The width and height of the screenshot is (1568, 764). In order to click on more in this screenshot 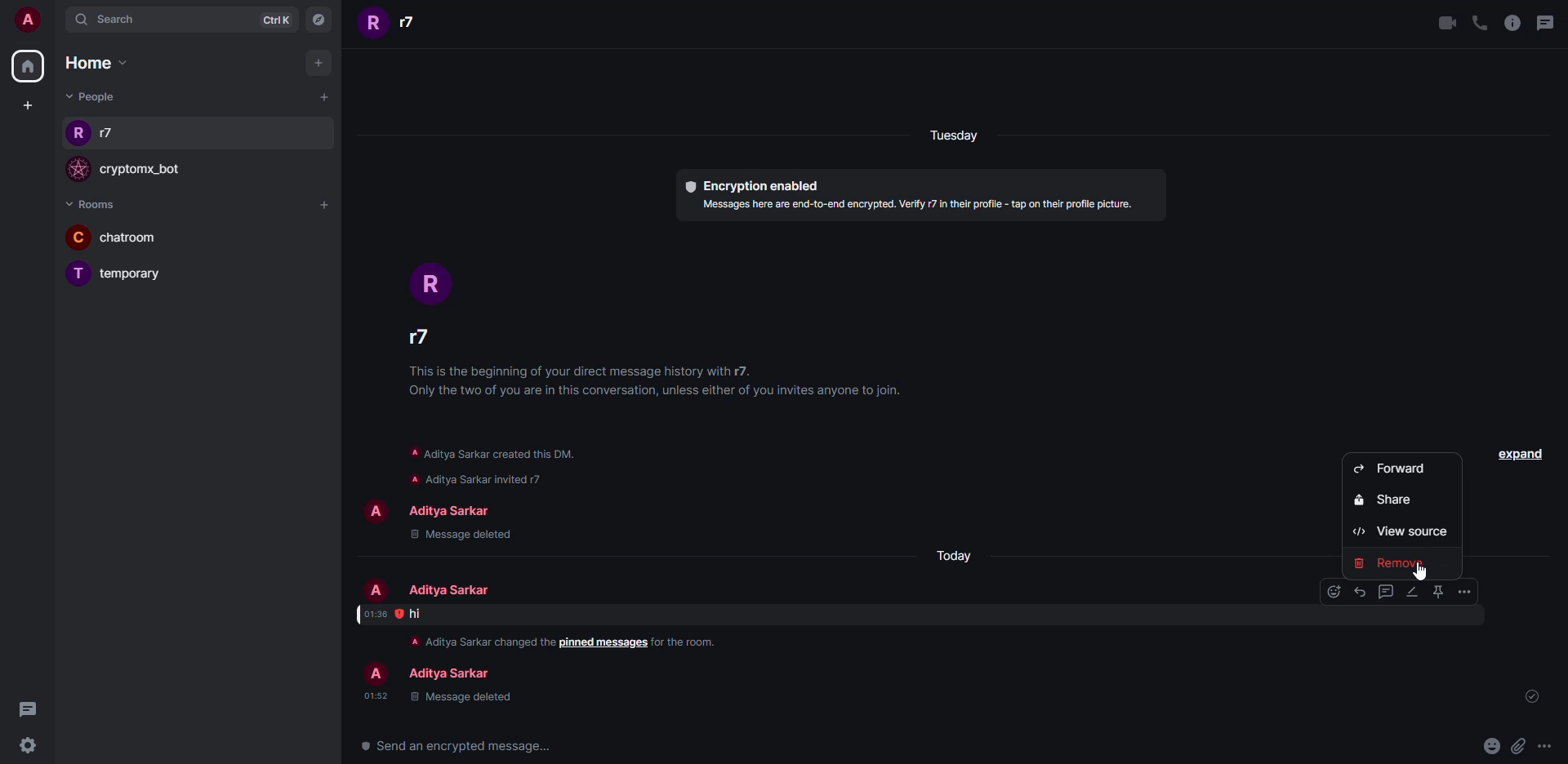, I will do `click(1544, 747)`.